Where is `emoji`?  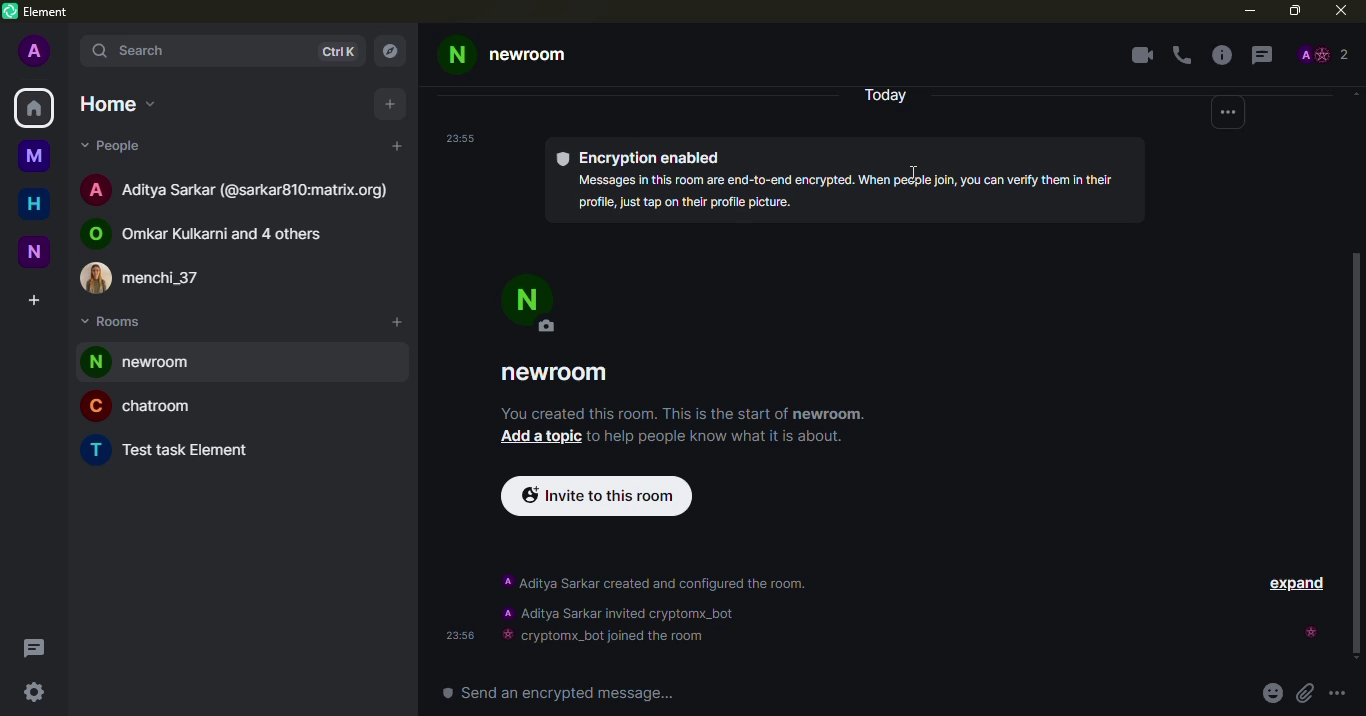 emoji is located at coordinates (1272, 694).